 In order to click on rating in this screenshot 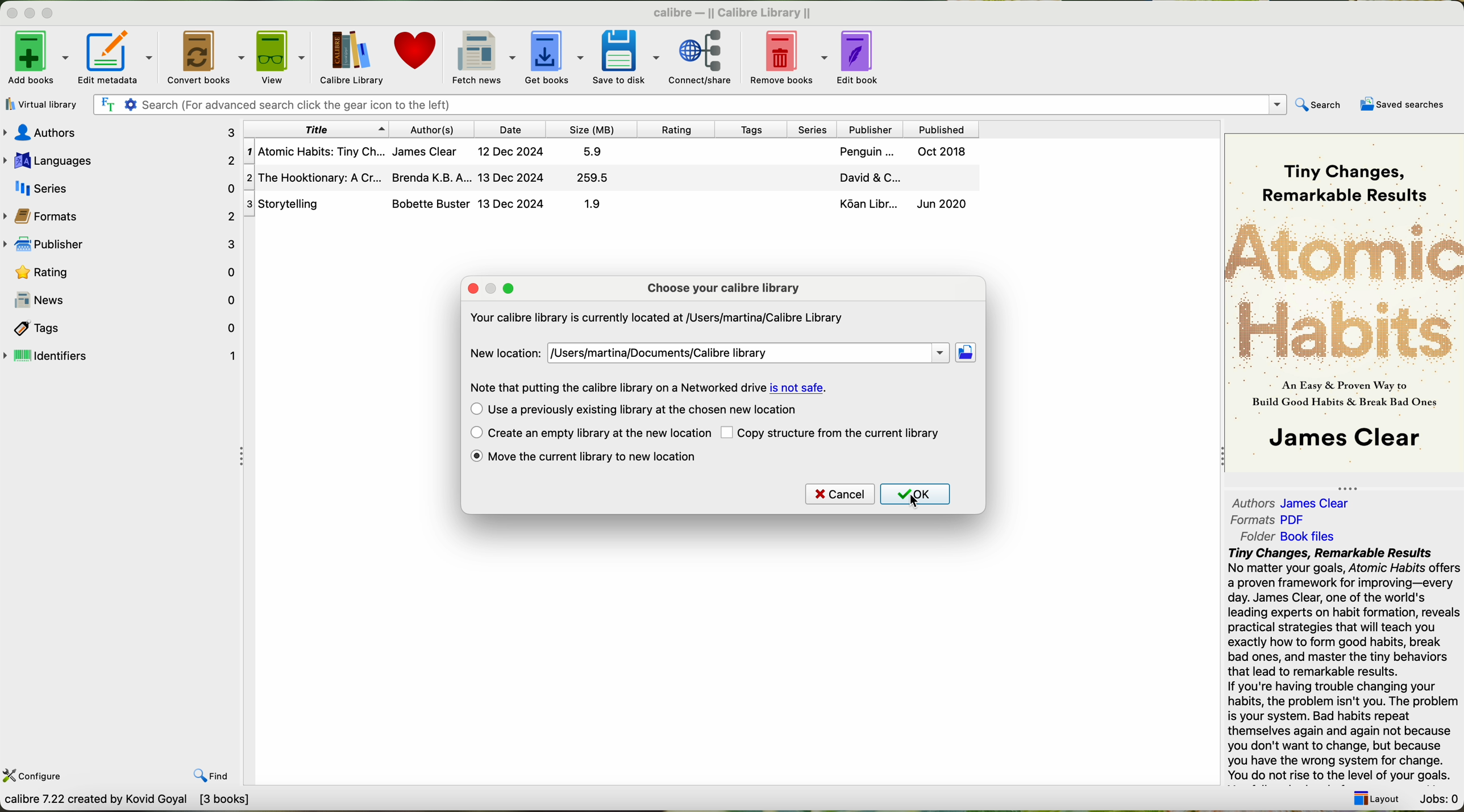, I will do `click(680, 129)`.